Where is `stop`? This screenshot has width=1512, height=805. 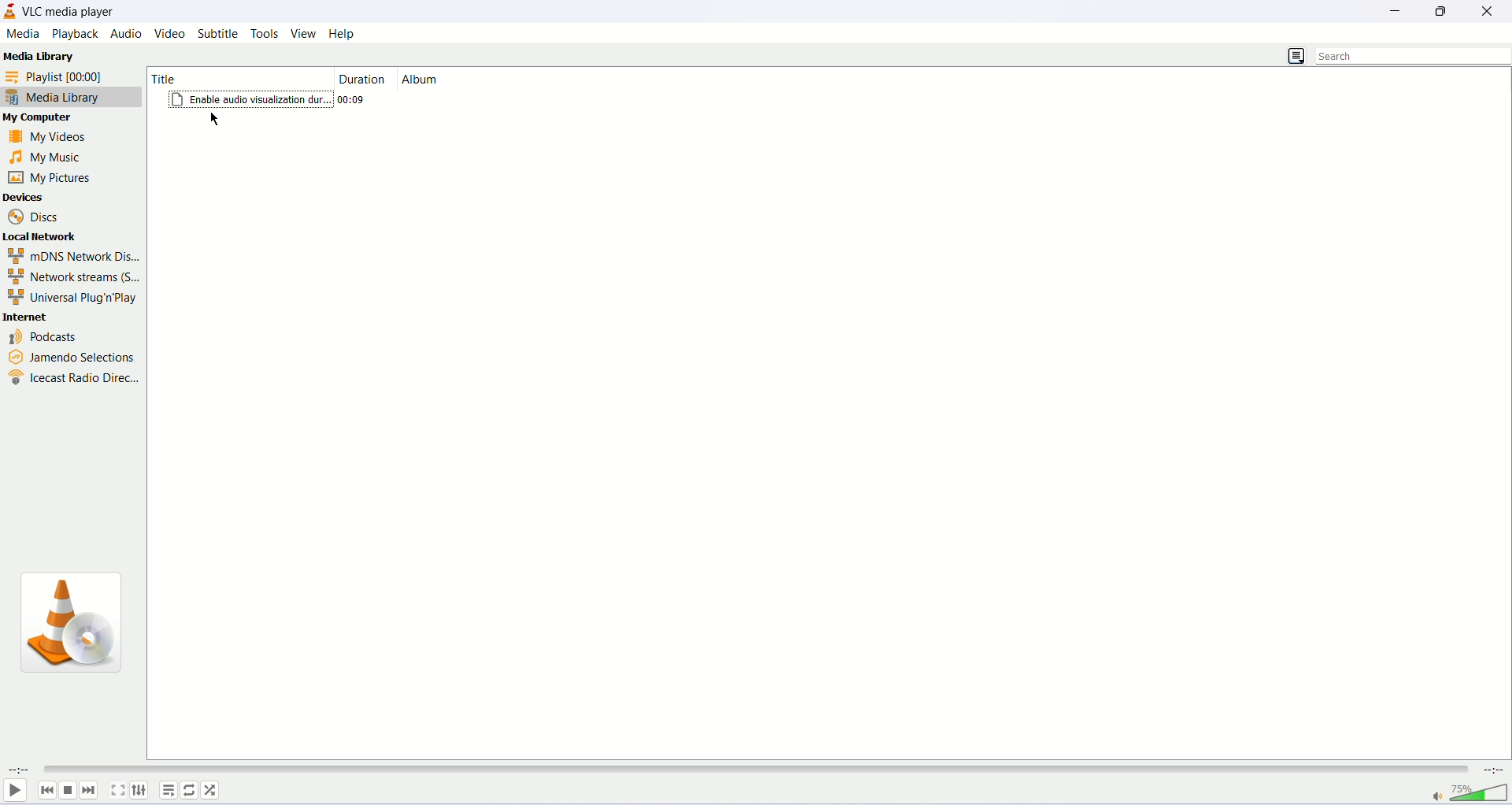
stop is located at coordinates (68, 791).